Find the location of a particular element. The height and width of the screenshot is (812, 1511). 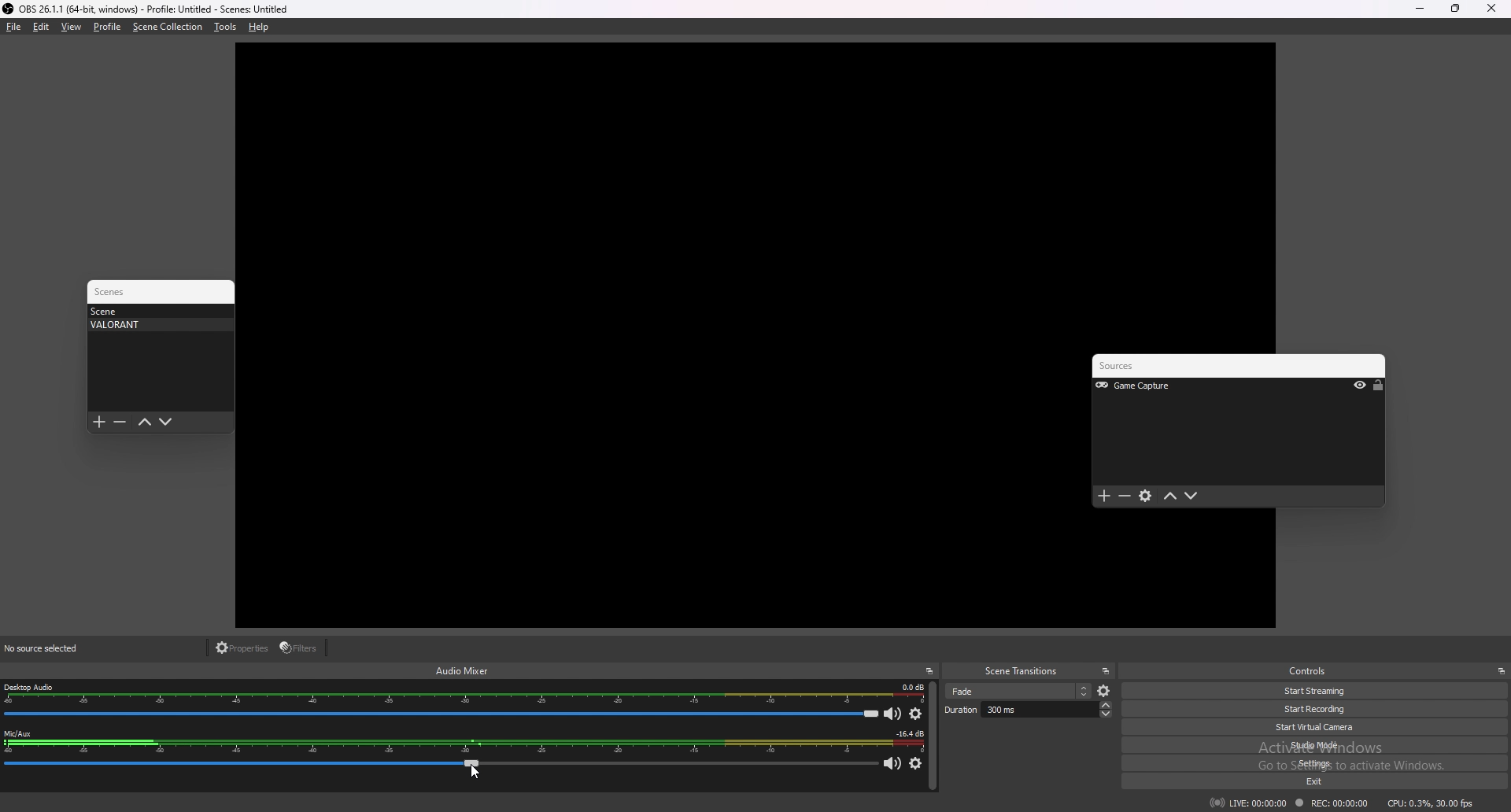

move down is located at coordinates (166, 423).